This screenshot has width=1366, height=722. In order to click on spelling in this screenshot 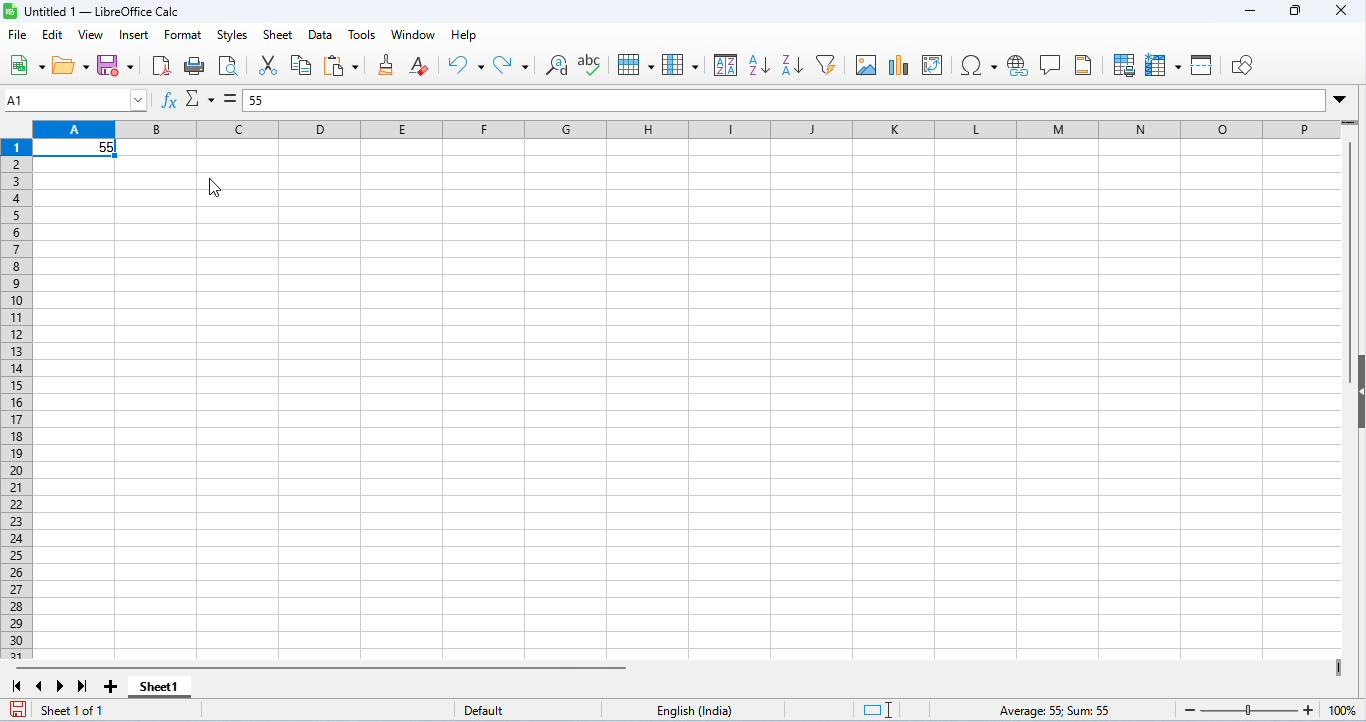, I will do `click(591, 65)`.